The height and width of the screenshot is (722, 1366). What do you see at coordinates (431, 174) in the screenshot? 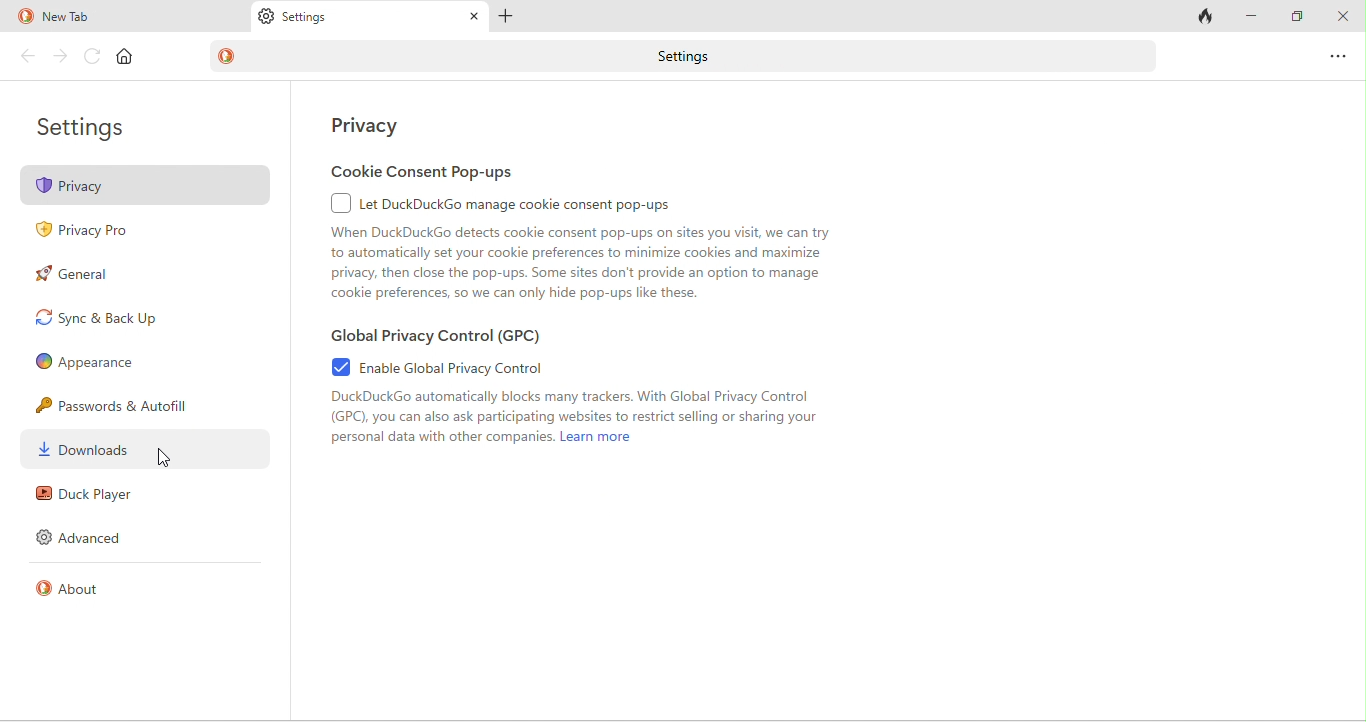
I see `cookie consent pop ups` at bounding box center [431, 174].